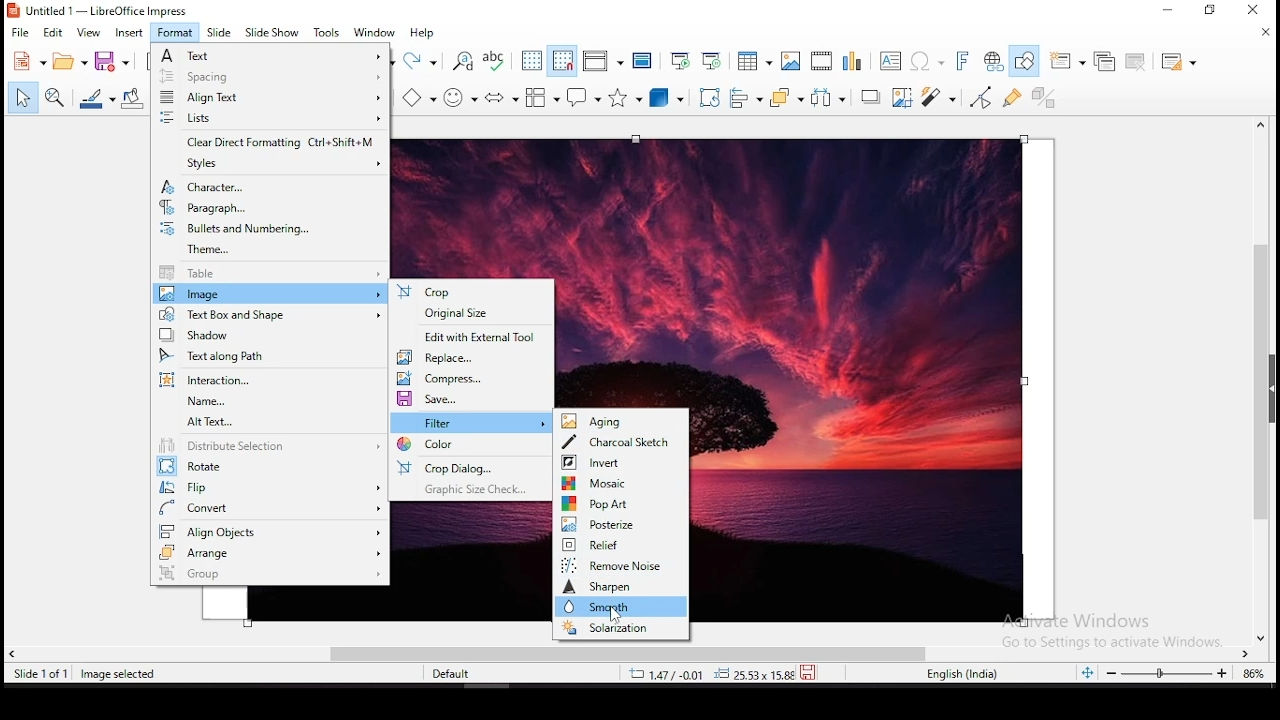 The width and height of the screenshot is (1280, 720). I want to click on icon and filename, so click(100, 11).